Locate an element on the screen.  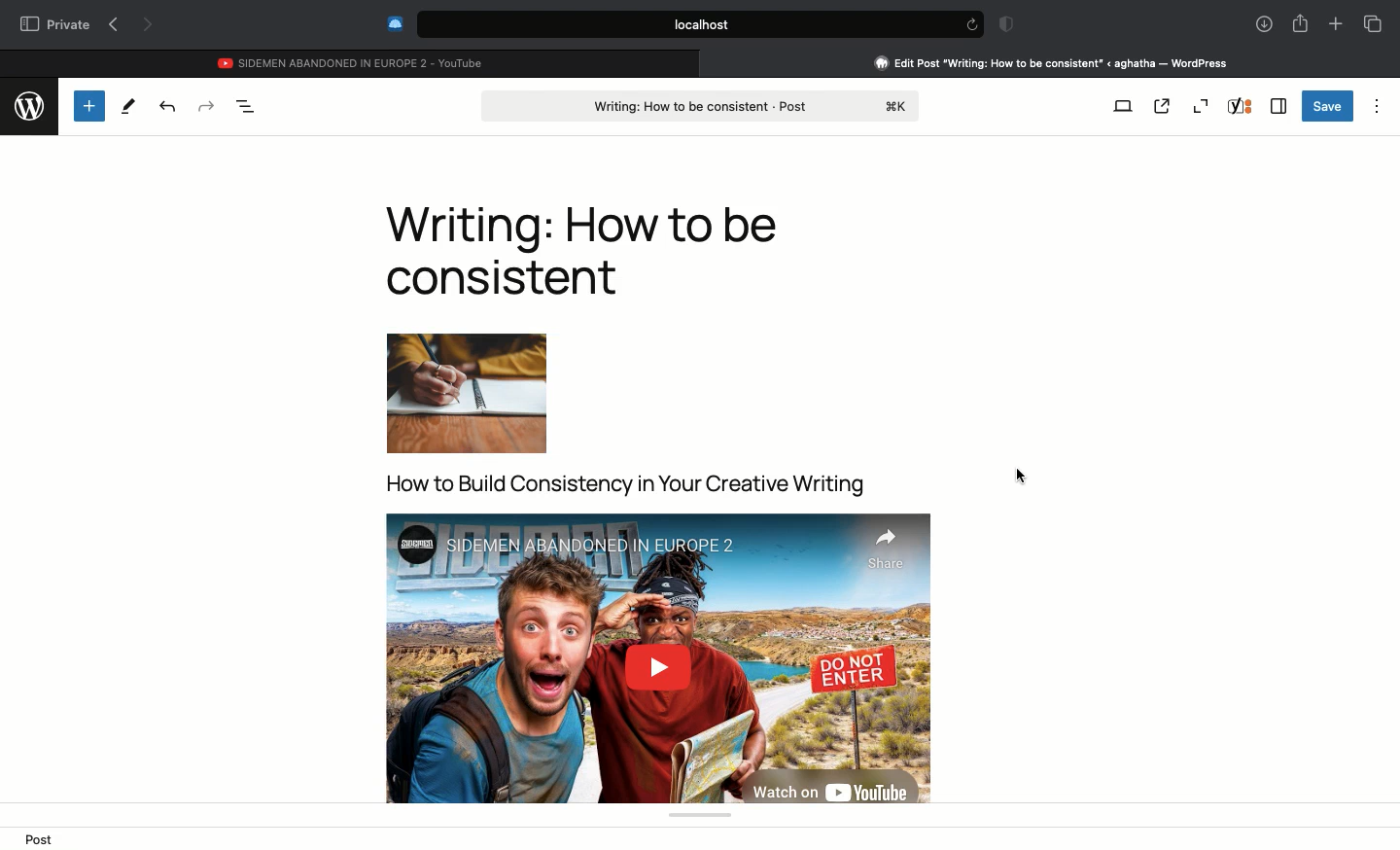
Clicking on Wordpress tab is located at coordinates (1052, 62).